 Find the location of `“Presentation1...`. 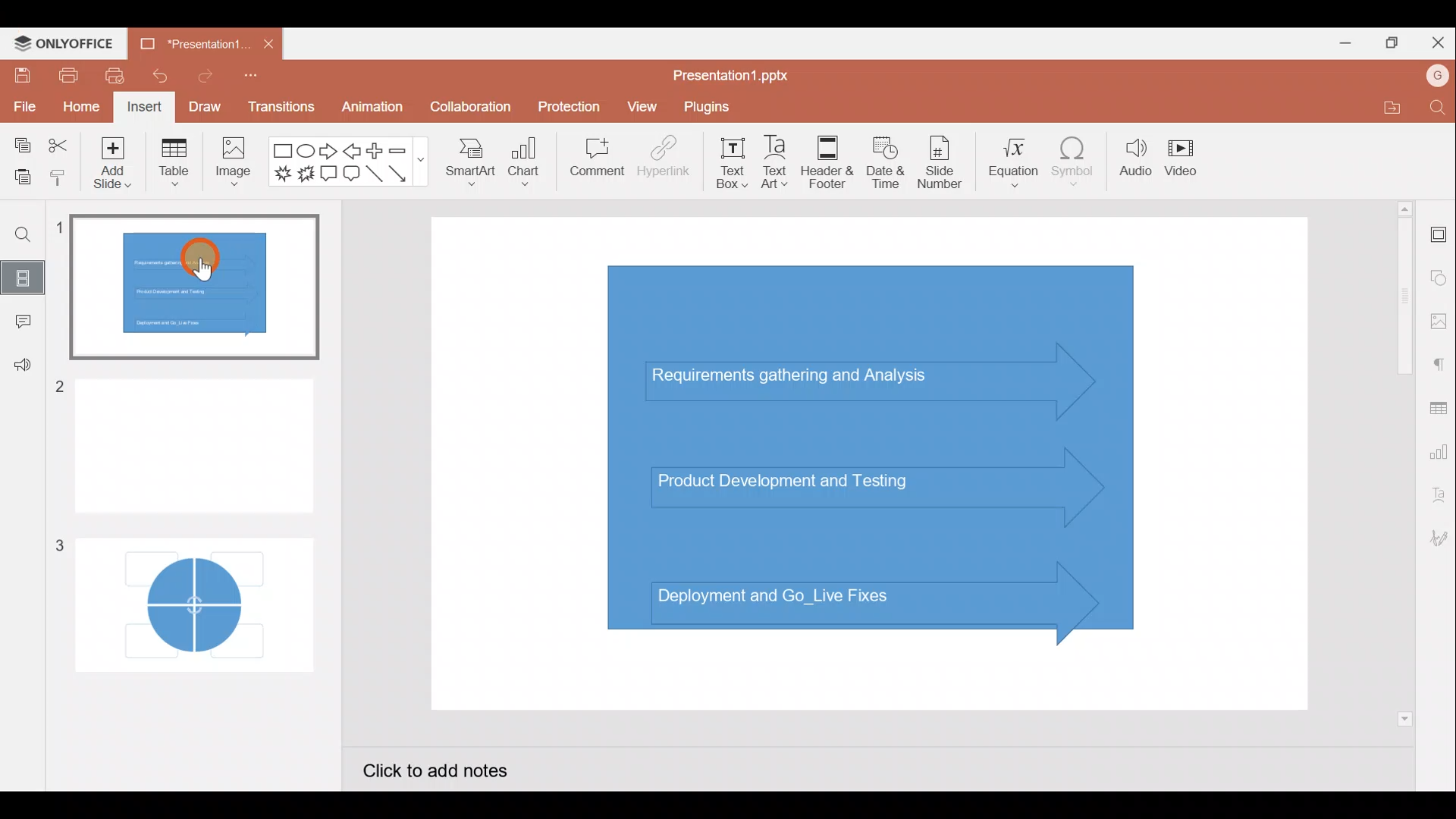

“Presentation1... is located at coordinates (197, 45).